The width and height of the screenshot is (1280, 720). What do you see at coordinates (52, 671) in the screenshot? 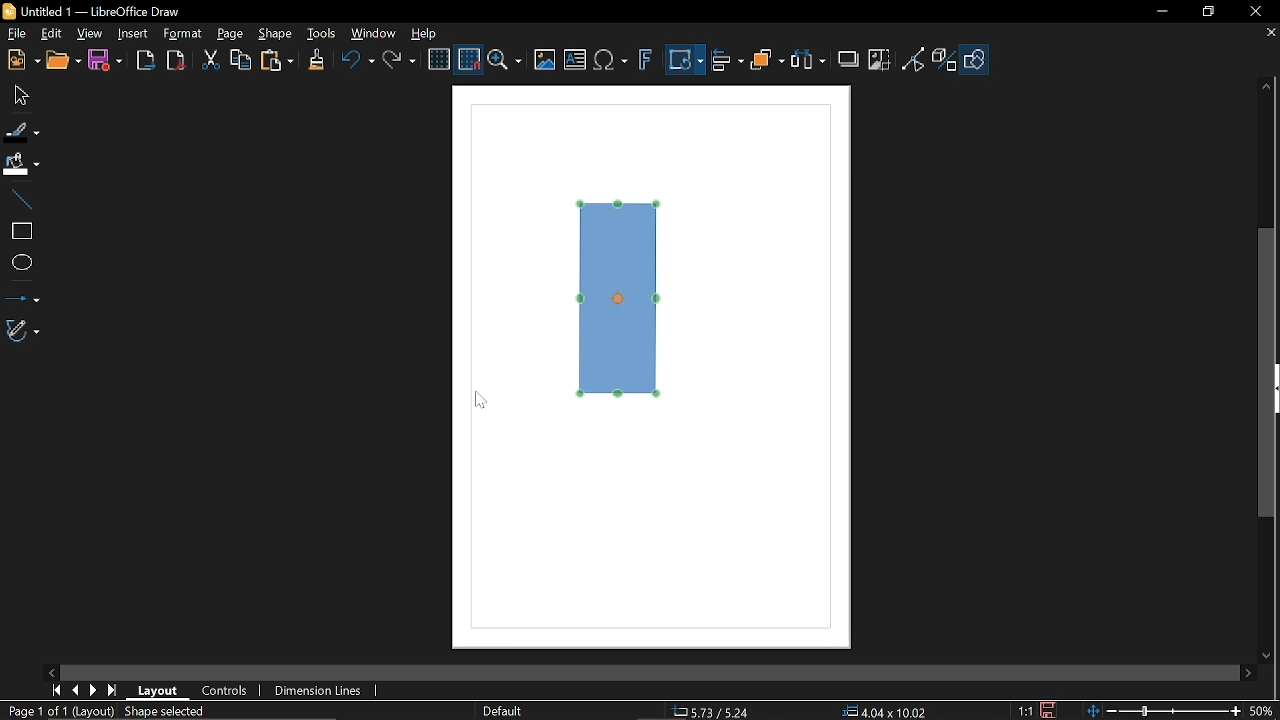
I see `MOve left` at bounding box center [52, 671].